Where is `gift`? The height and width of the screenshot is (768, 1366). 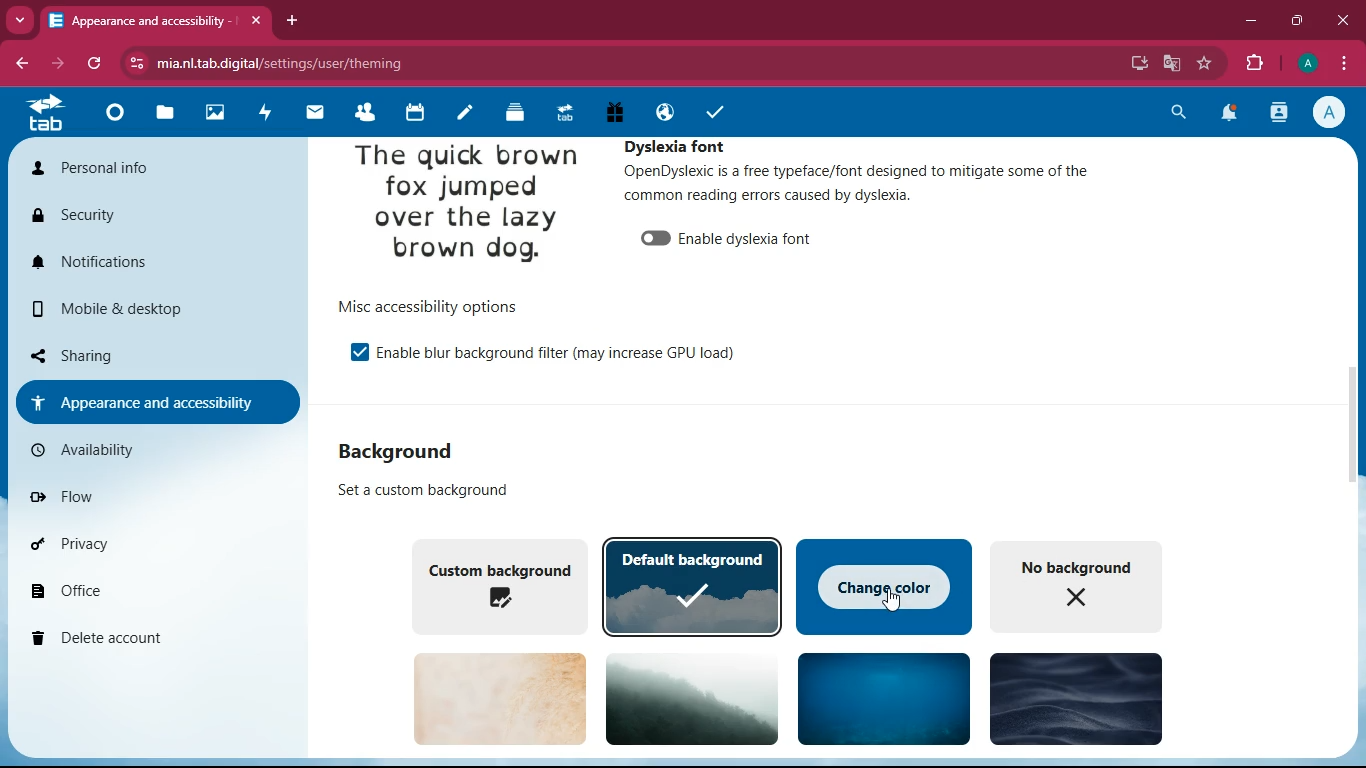 gift is located at coordinates (614, 112).